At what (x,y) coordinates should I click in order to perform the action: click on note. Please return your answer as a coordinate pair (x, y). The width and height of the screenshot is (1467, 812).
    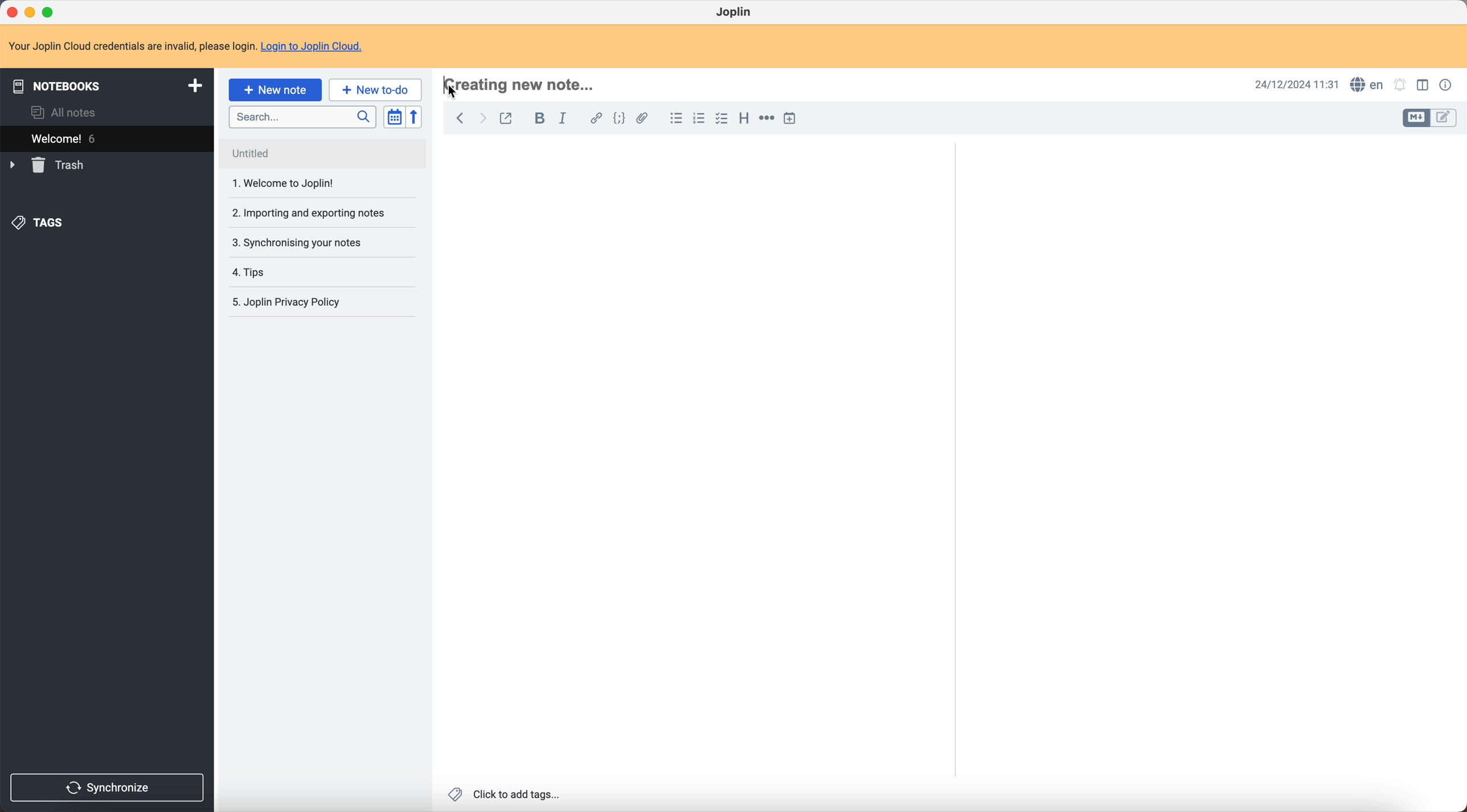
    Looking at the image, I should click on (185, 44).